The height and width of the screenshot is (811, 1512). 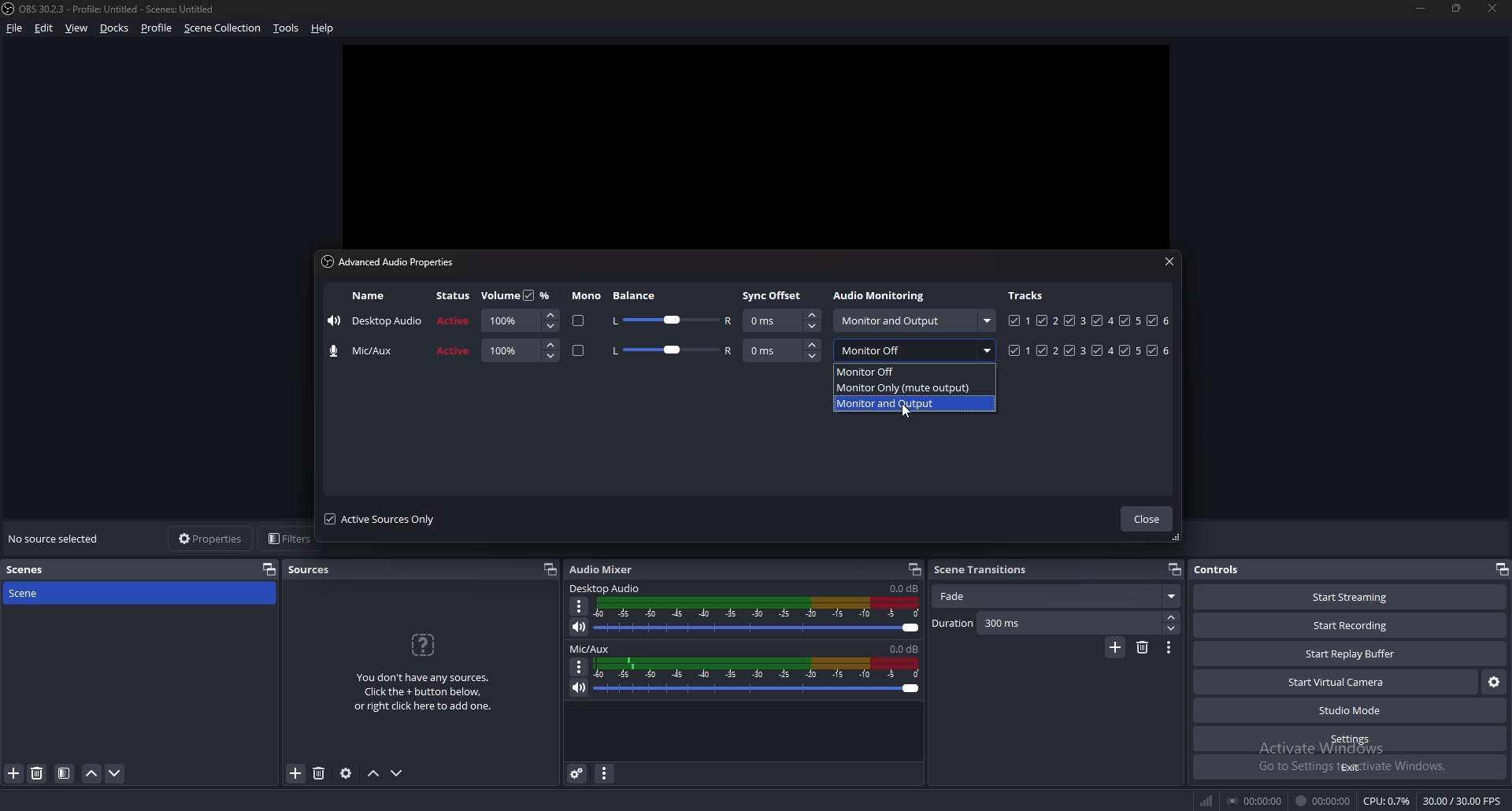 What do you see at coordinates (269, 569) in the screenshot?
I see `pop out` at bounding box center [269, 569].